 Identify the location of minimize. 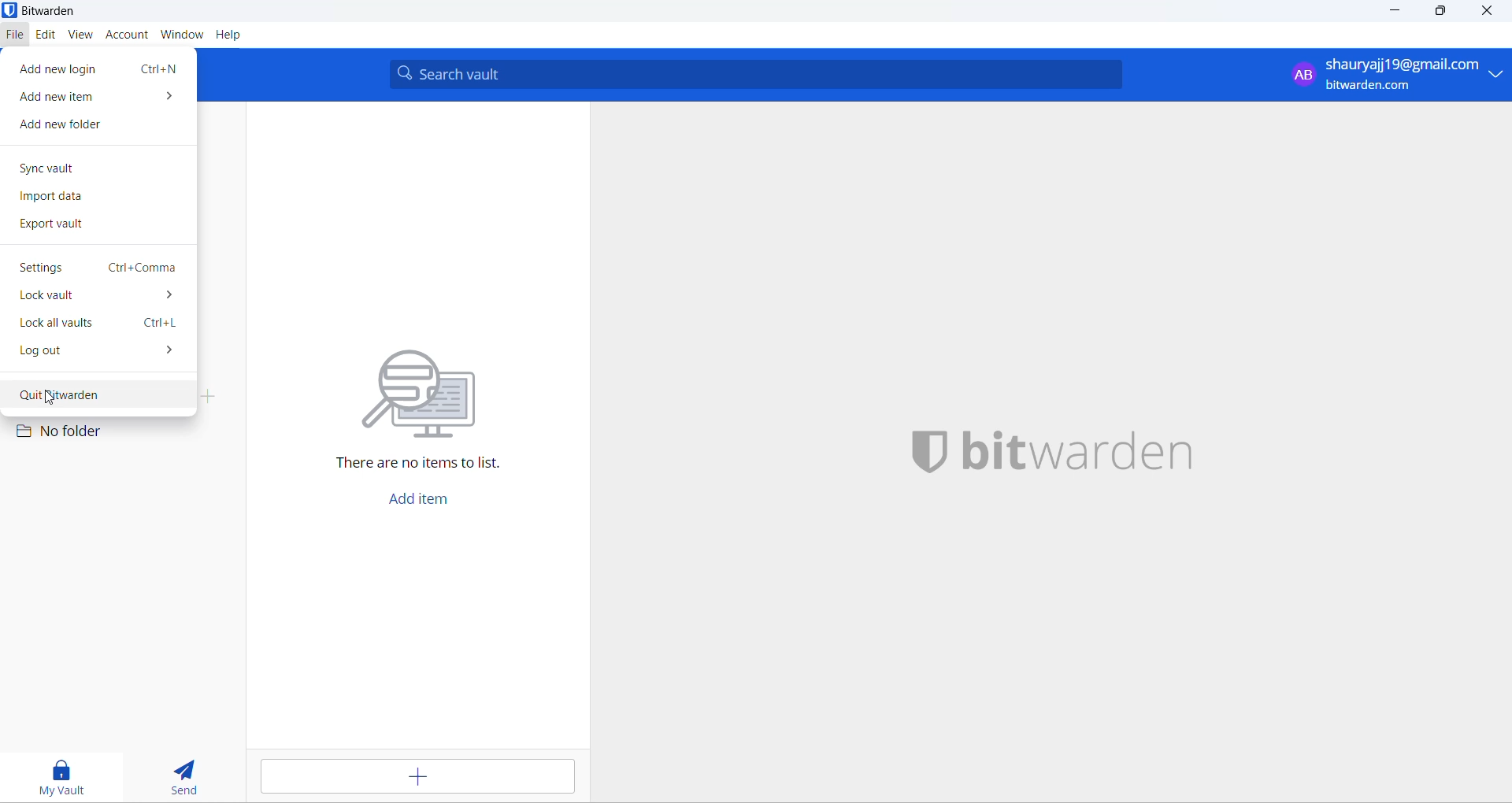
(1396, 13).